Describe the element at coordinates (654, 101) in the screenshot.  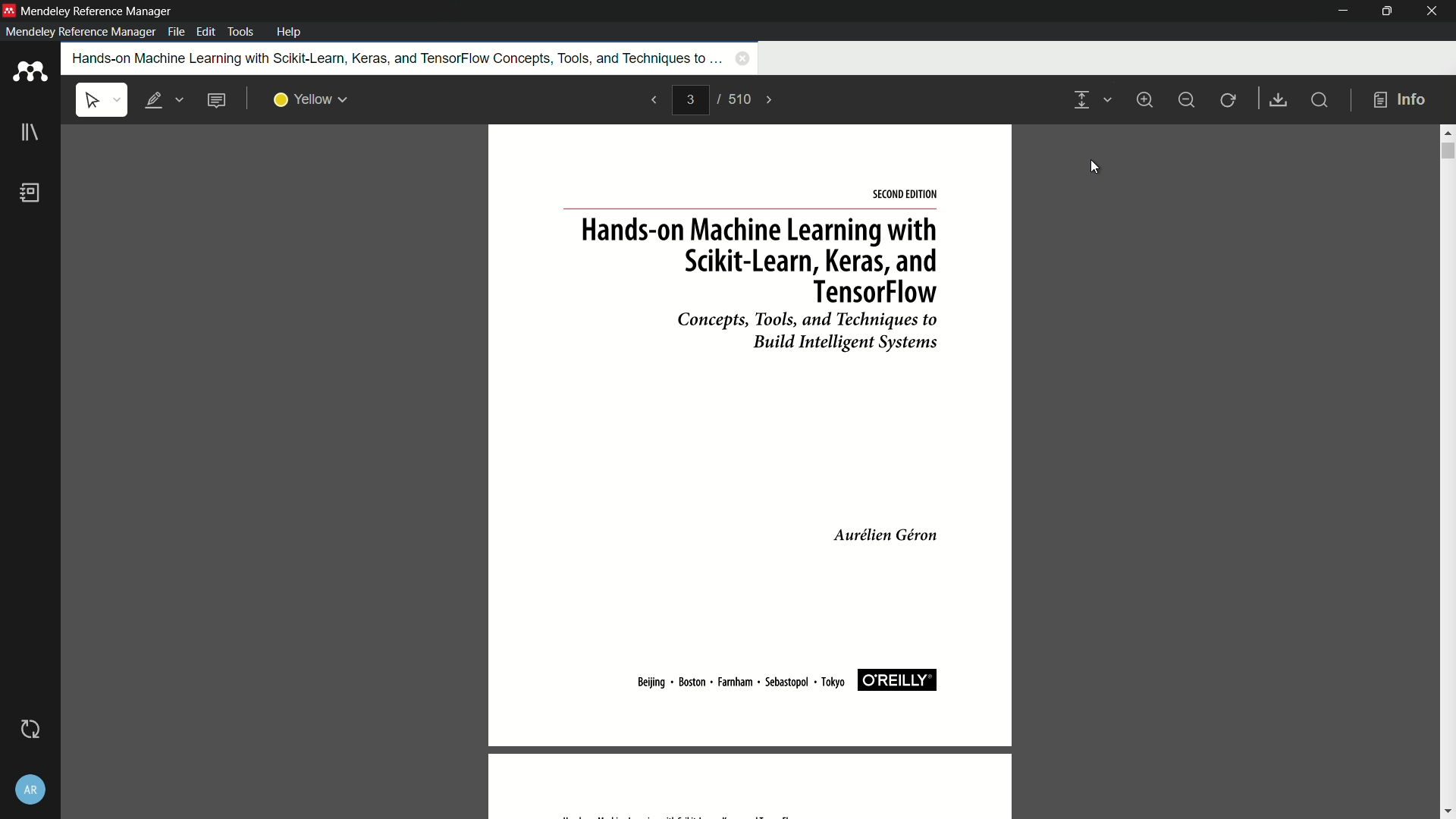
I see `previous page` at that location.